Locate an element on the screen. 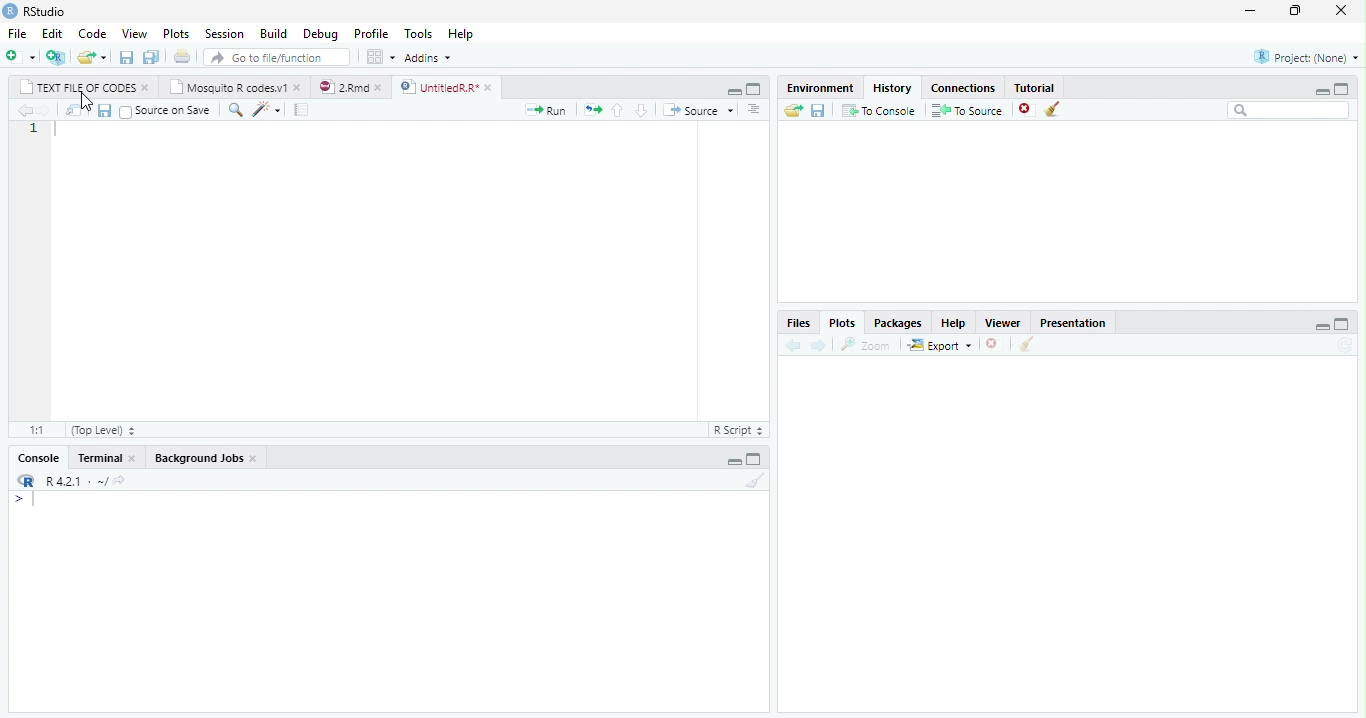  new file is located at coordinates (19, 56).